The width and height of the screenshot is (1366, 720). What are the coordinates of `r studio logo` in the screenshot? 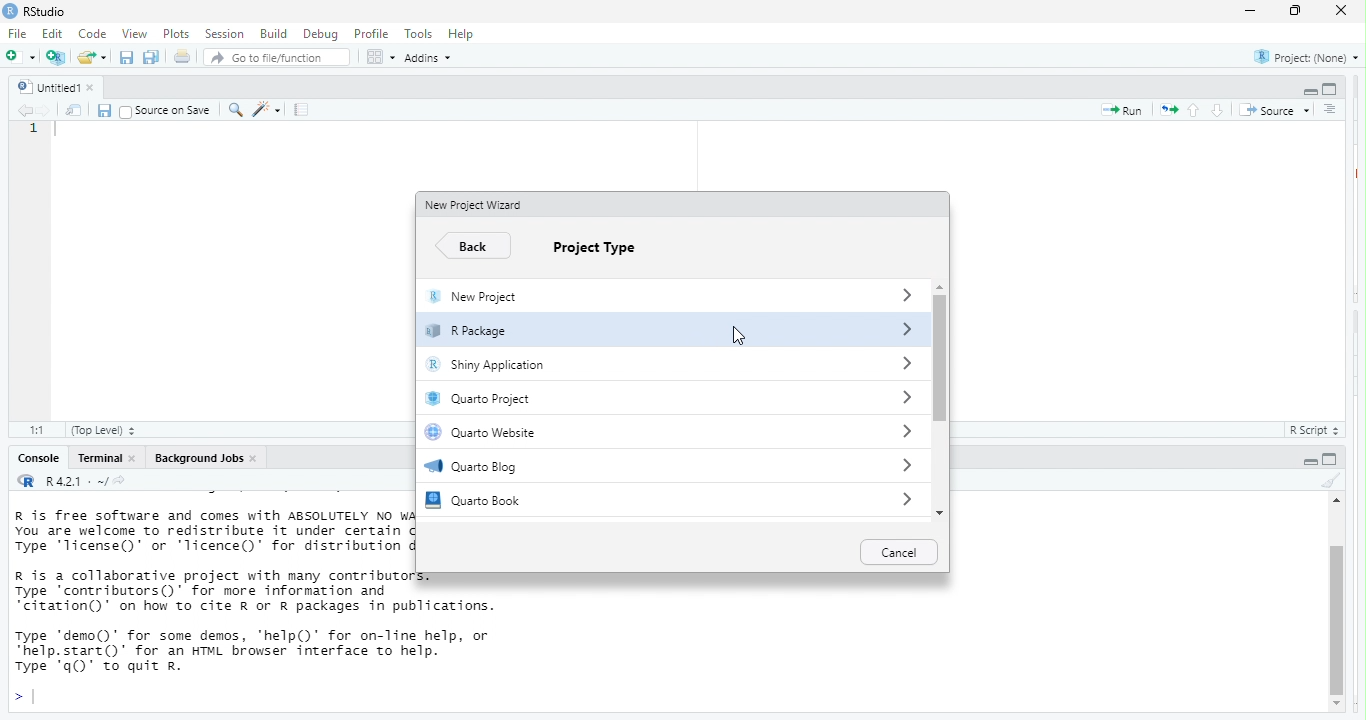 It's located at (9, 11).